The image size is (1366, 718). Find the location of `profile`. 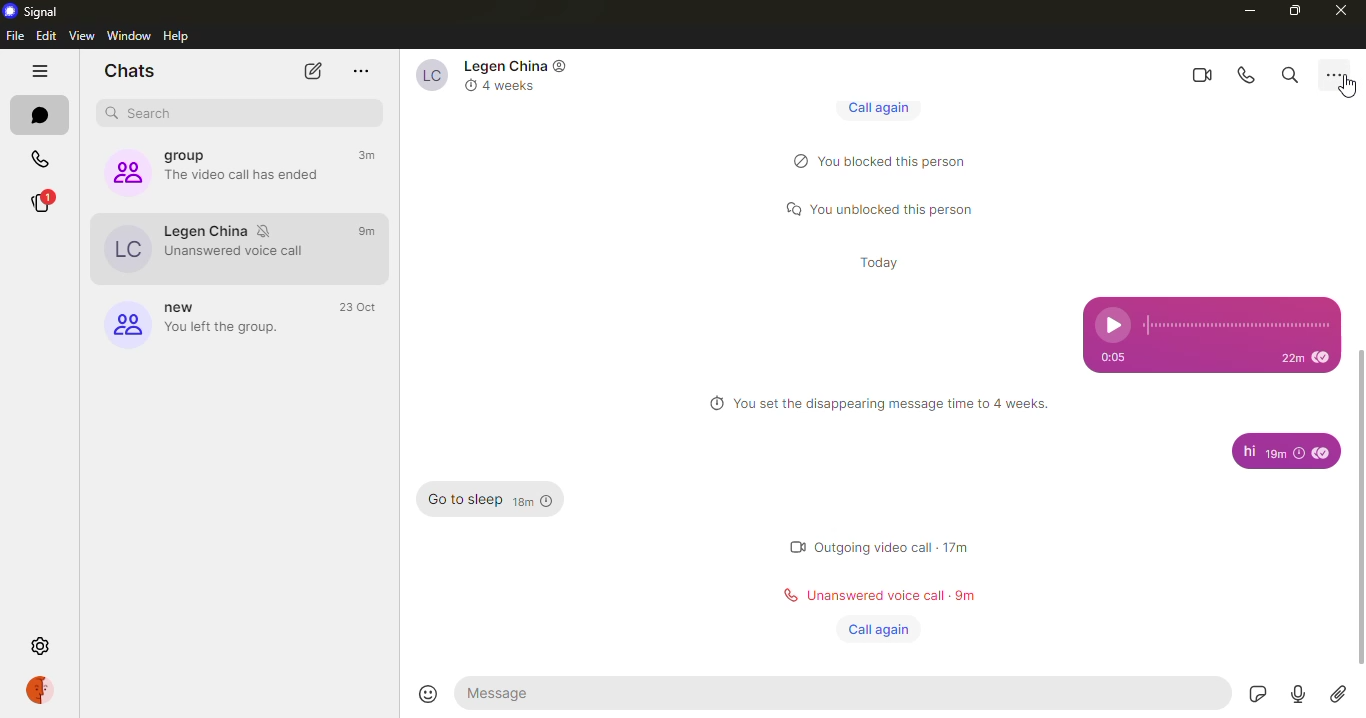

profile is located at coordinates (42, 691).